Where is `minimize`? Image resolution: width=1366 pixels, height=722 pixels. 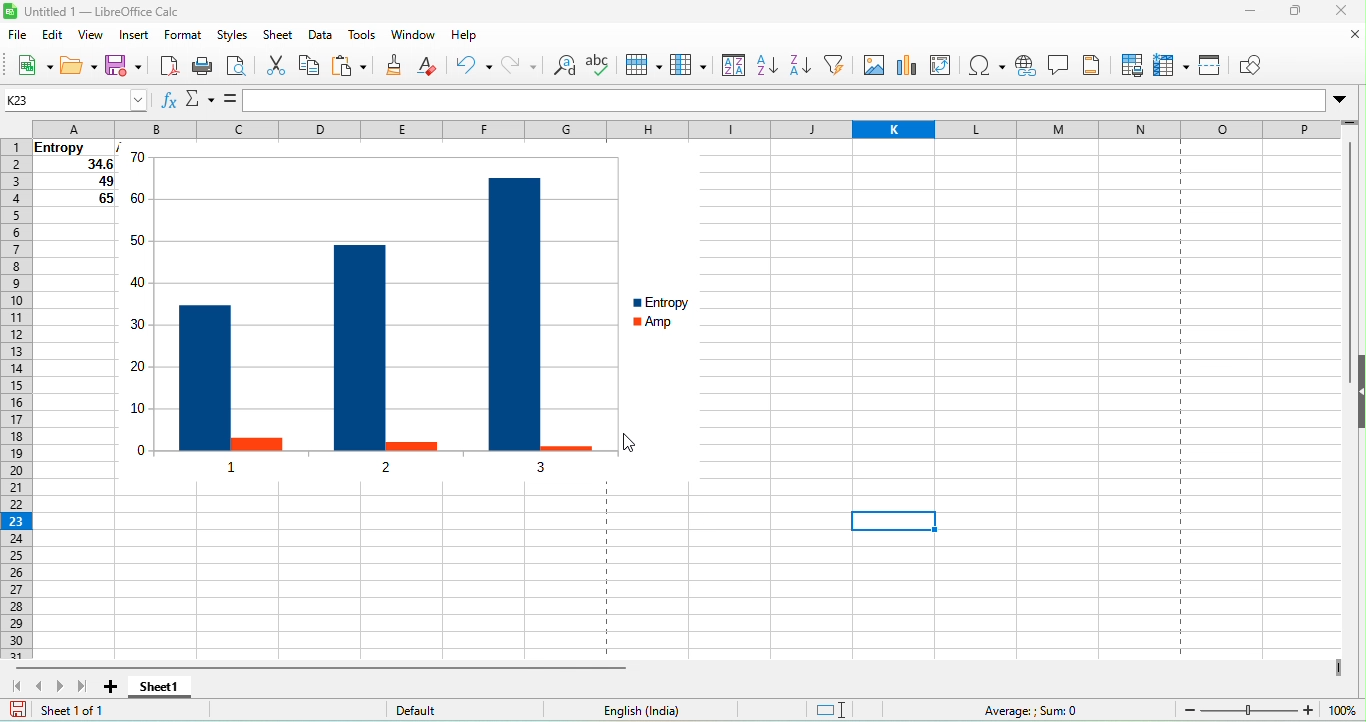
minimize is located at coordinates (1234, 14).